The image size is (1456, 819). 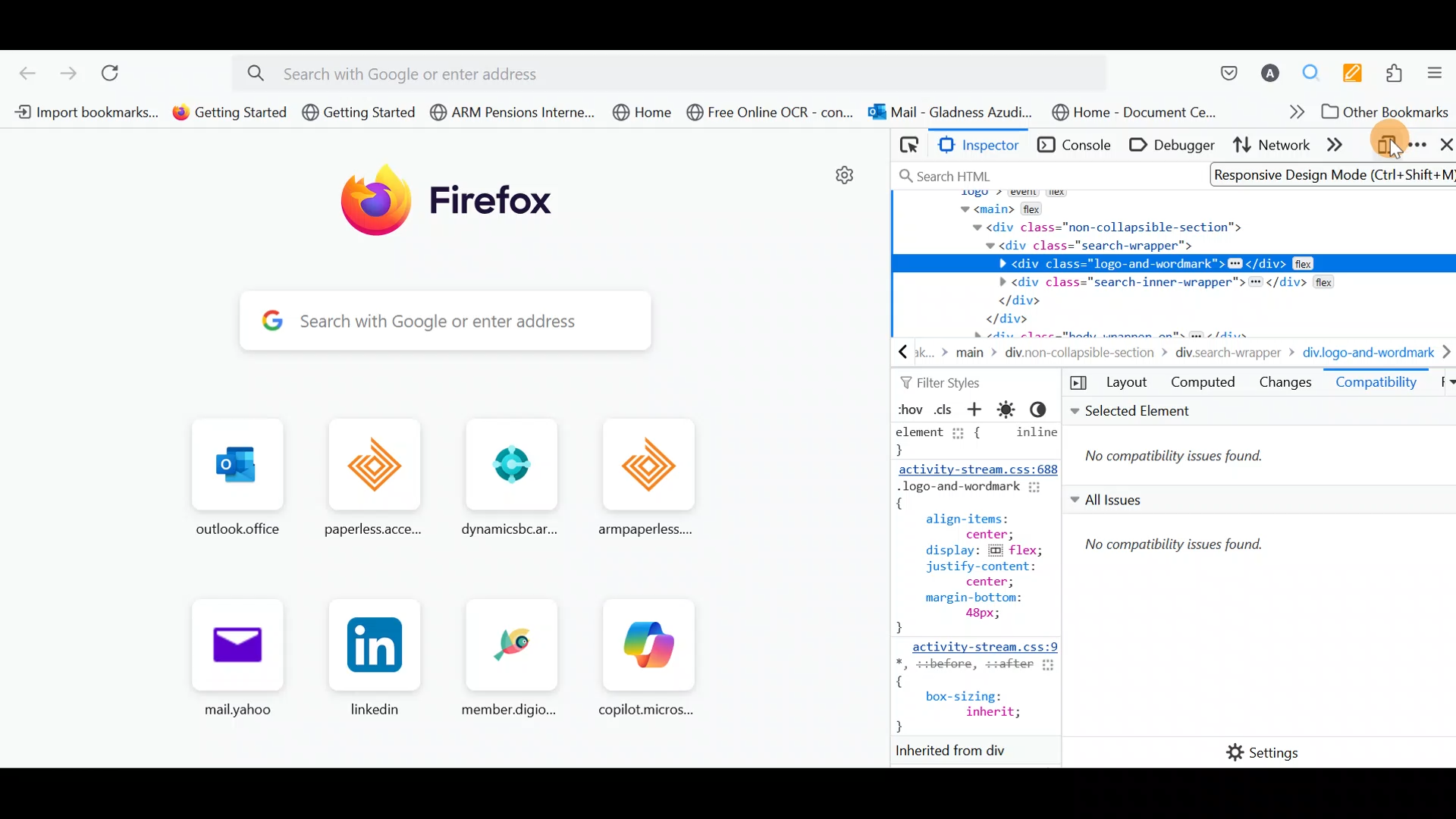 I want to click on Layout, so click(x=1112, y=383).